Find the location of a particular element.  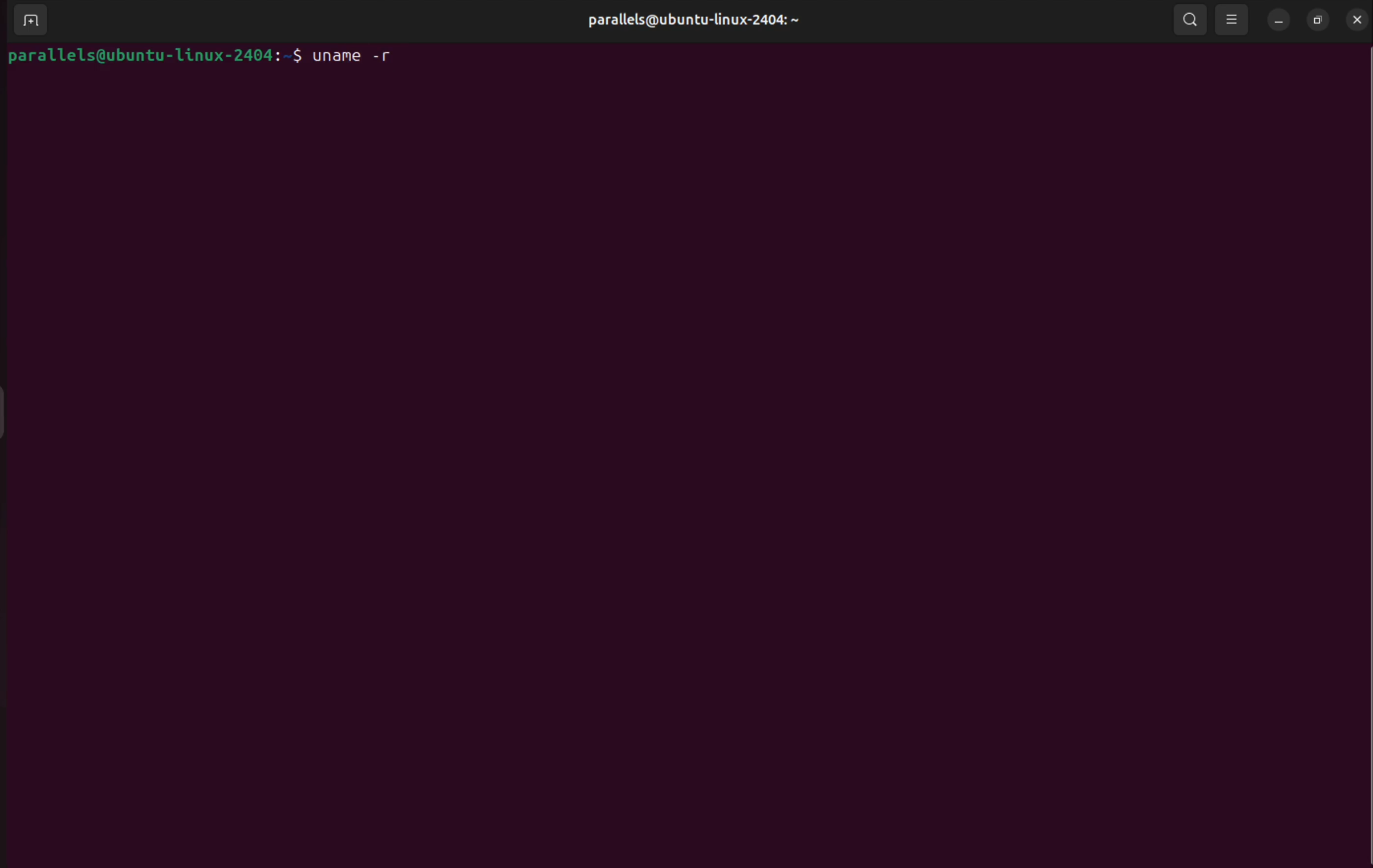

search is located at coordinates (1188, 21).